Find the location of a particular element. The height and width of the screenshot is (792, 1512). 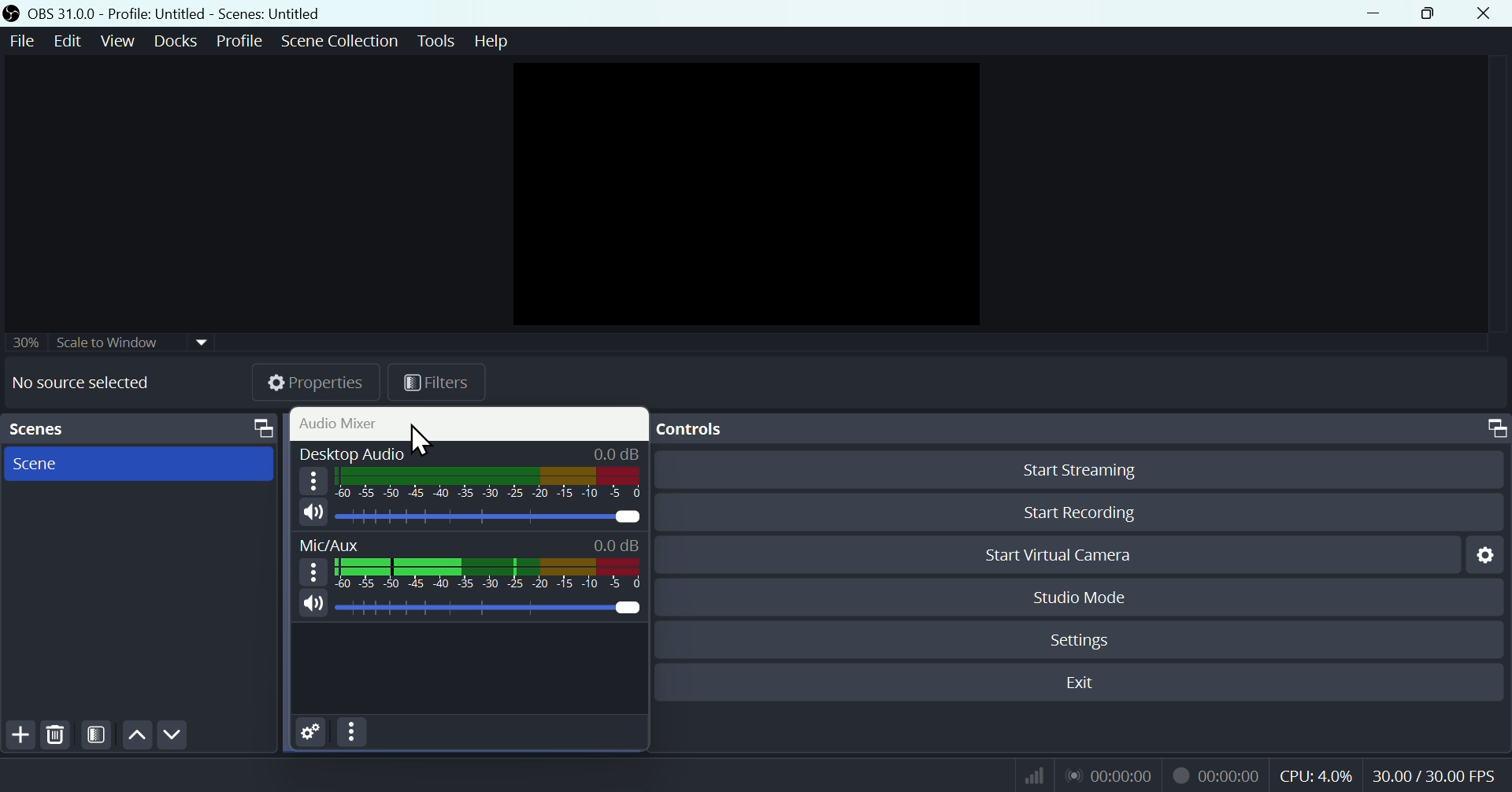

Studio mode is located at coordinates (1078, 598).